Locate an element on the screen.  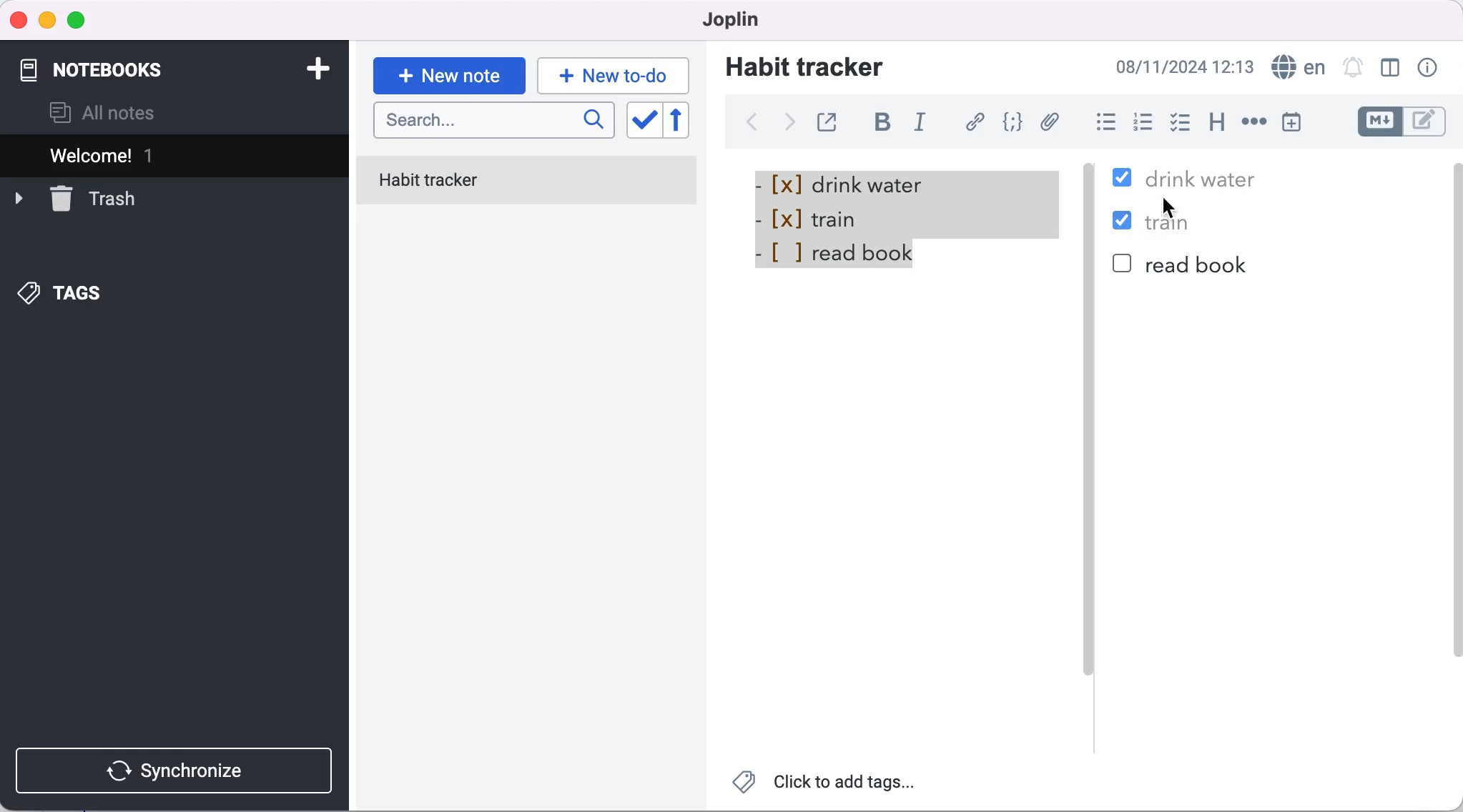
heading is located at coordinates (1218, 123).